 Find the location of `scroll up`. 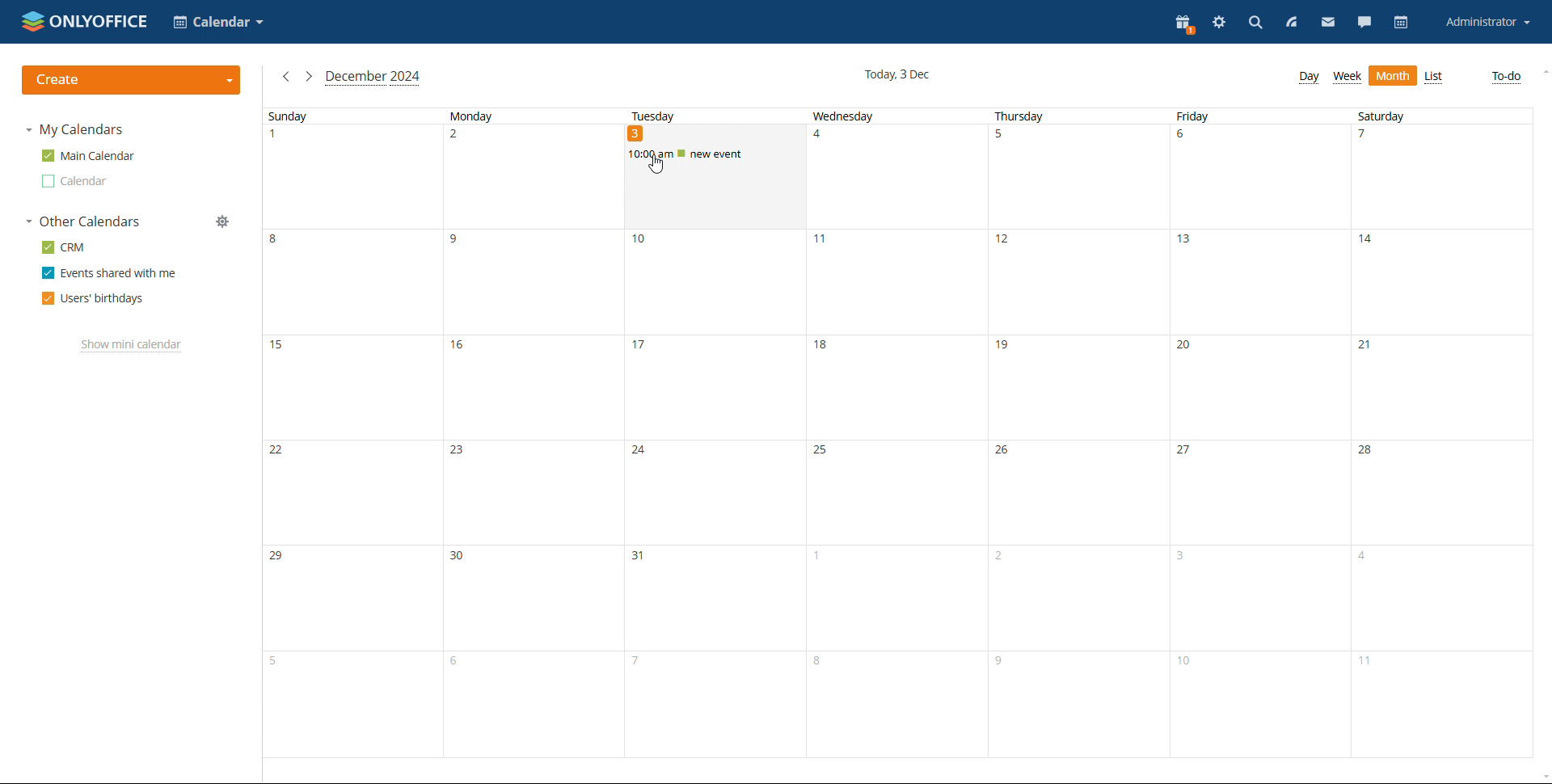

scroll up is located at coordinates (1542, 72).